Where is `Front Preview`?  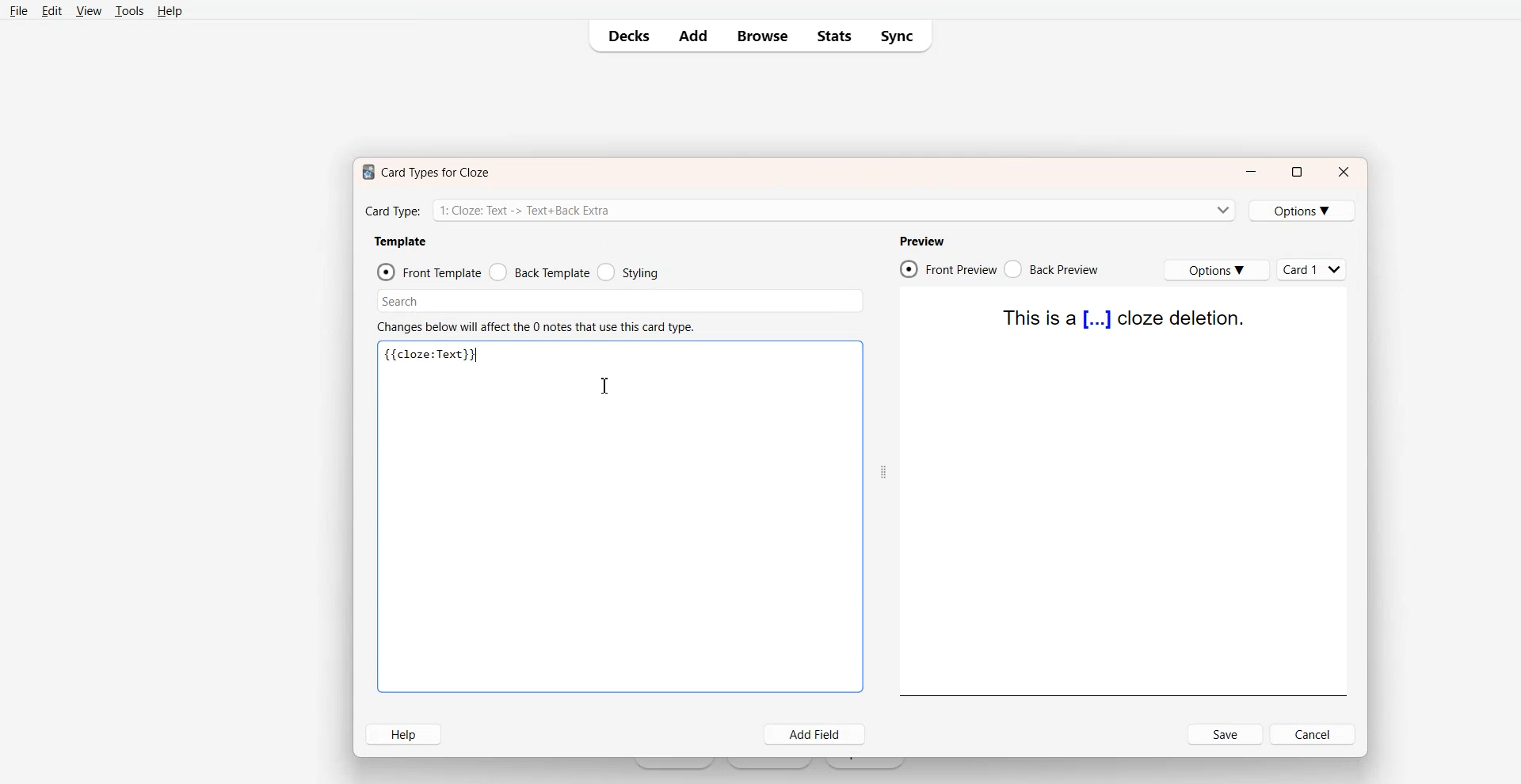 Front Preview is located at coordinates (948, 268).